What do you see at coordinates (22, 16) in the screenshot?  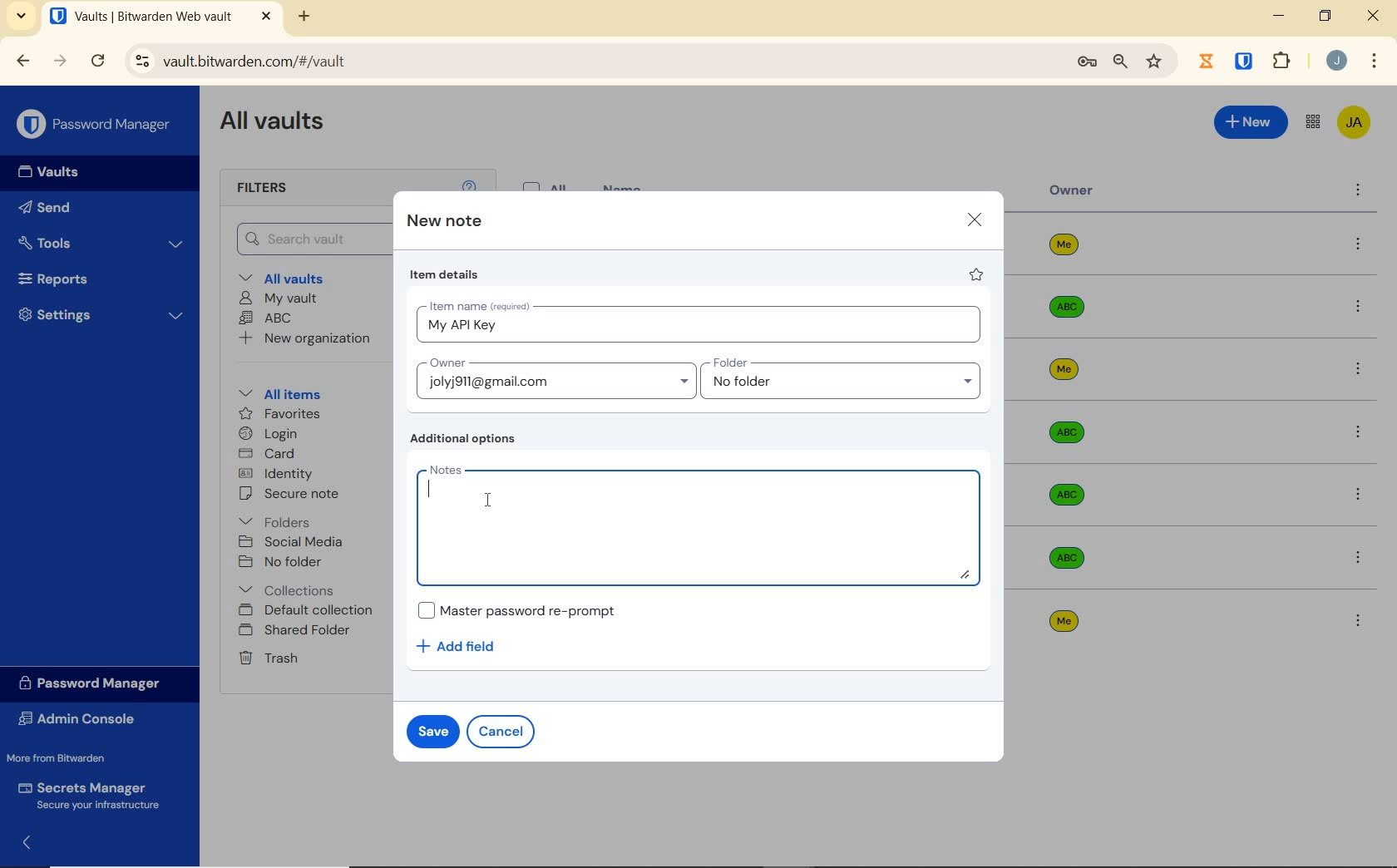 I see `search tabs` at bounding box center [22, 16].